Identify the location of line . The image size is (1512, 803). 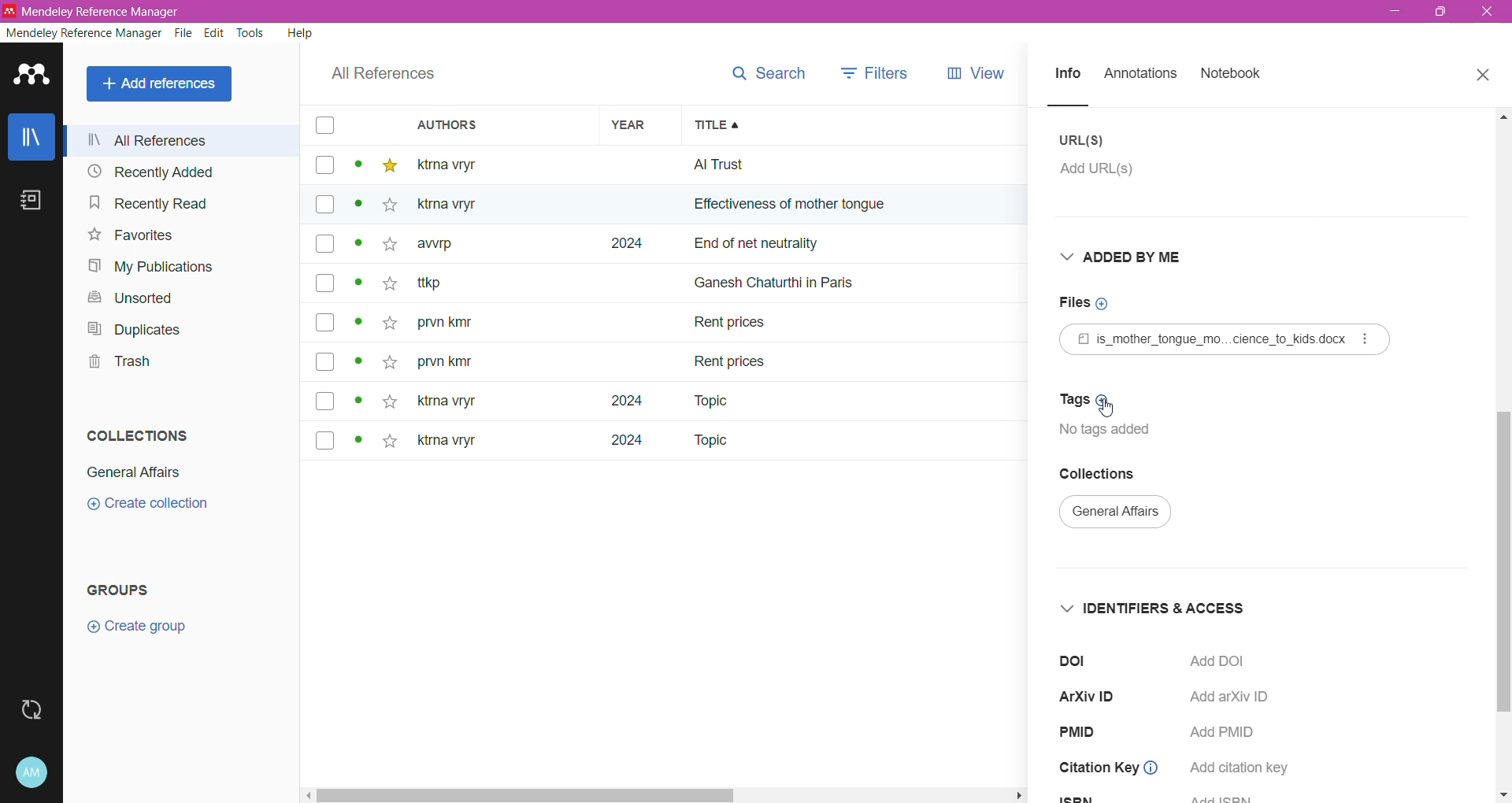
(1083, 105).